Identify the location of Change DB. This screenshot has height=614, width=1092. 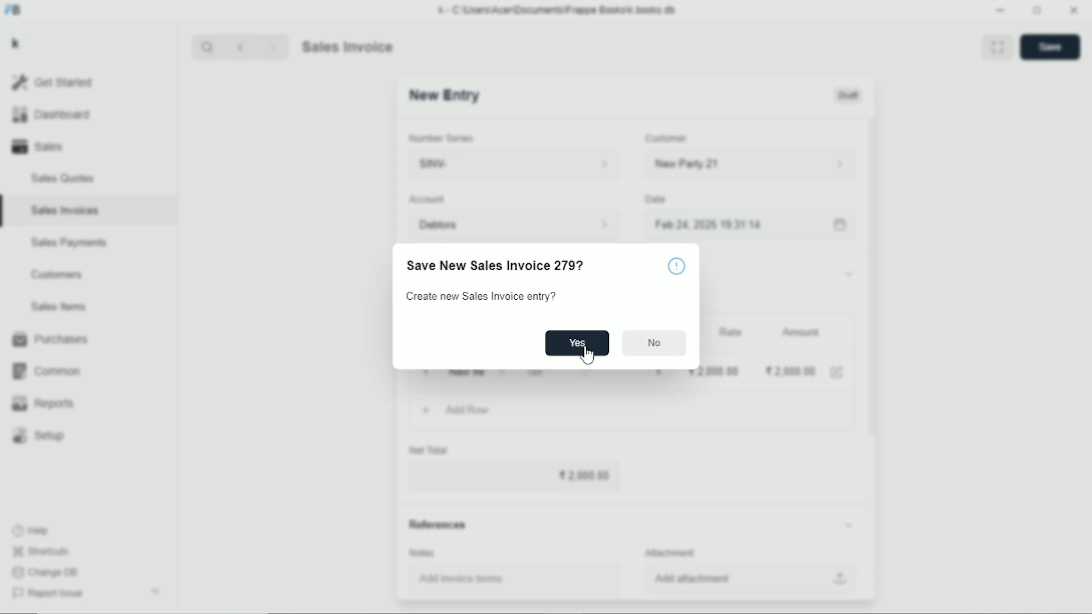
(45, 573).